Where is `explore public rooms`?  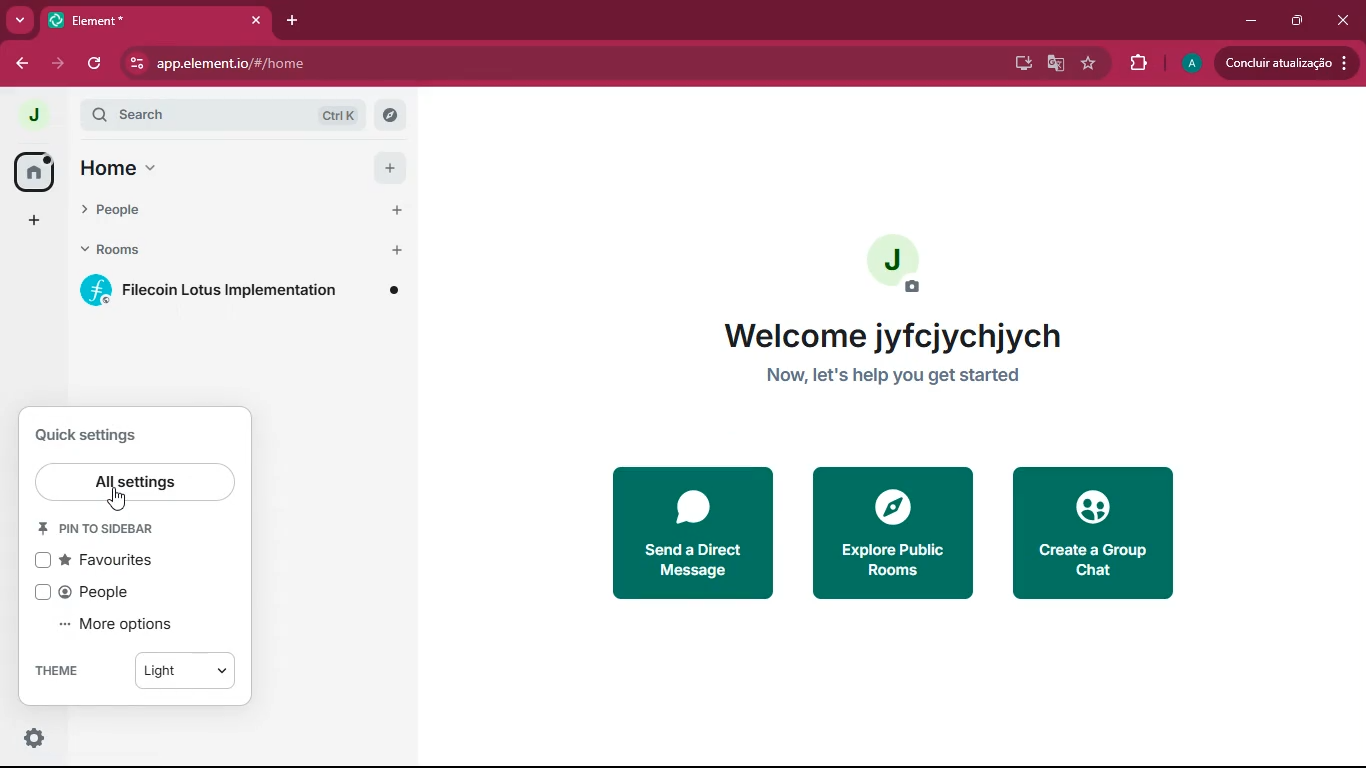
explore public rooms is located at coordinates (891, 535).